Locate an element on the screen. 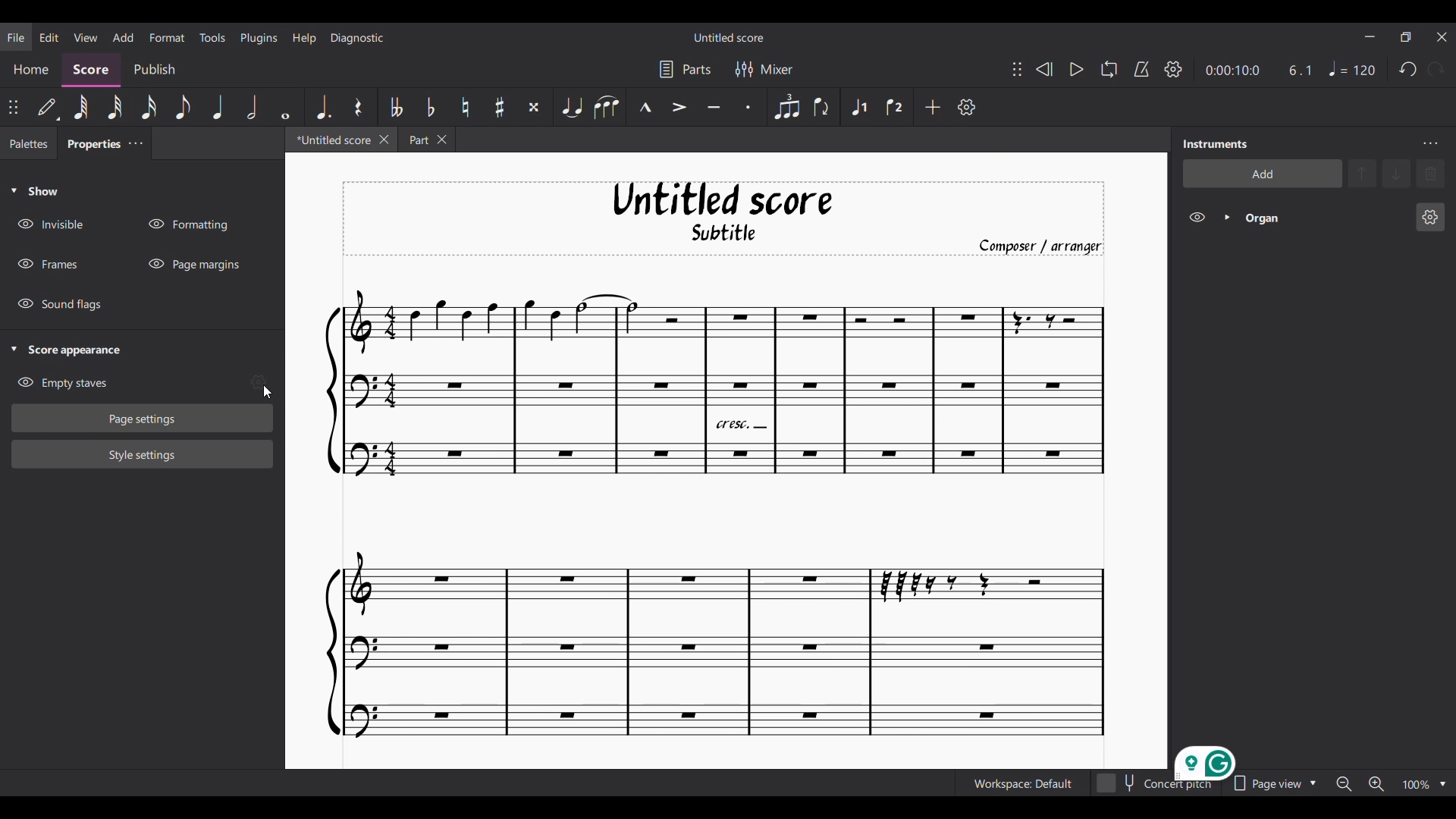 This screenshot has height=819, width=1456. Flip direction is located at coordinates (822, 107).